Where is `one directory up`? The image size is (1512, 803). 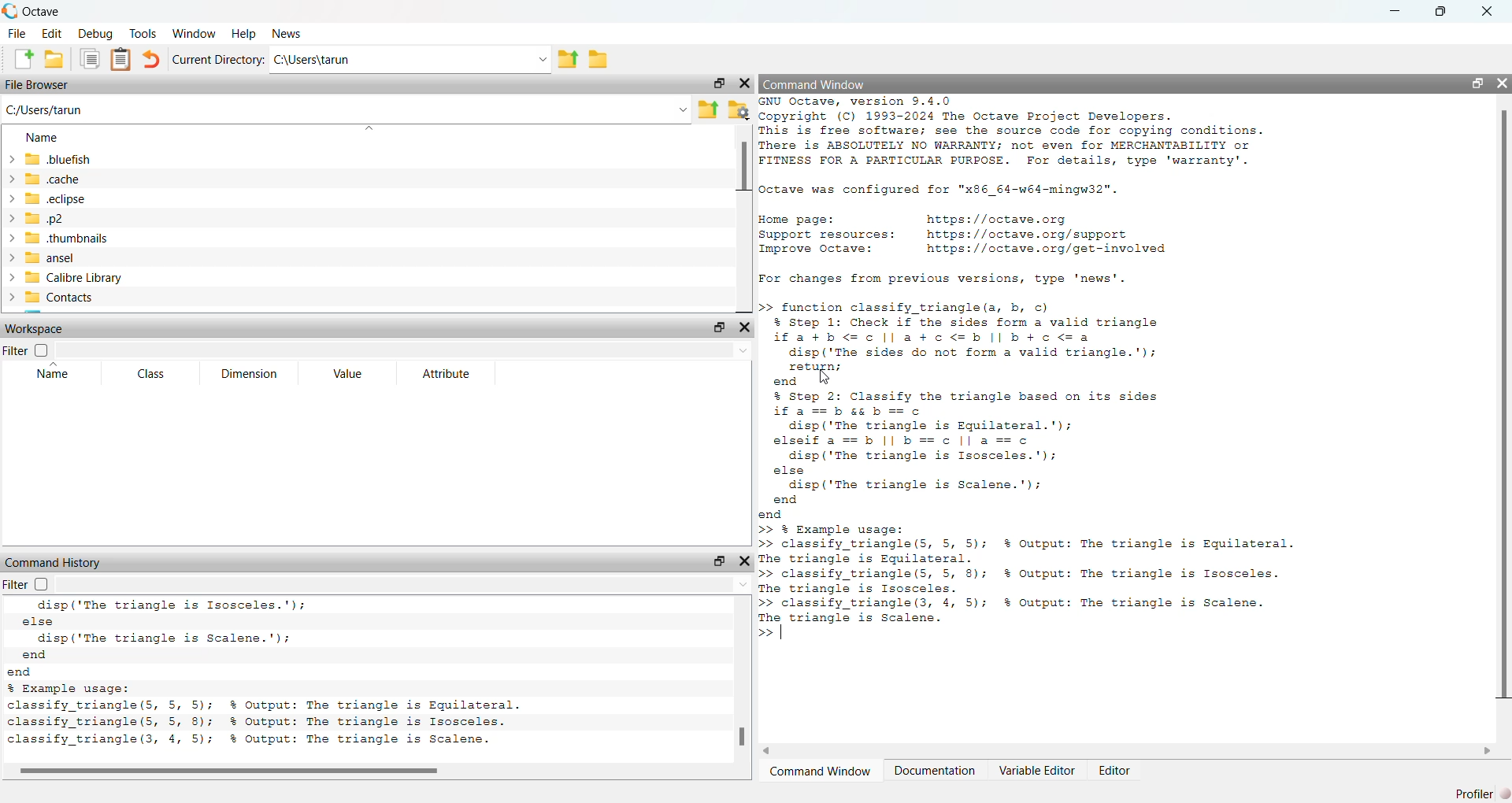 one directory up is located at coordinates (706, 109).